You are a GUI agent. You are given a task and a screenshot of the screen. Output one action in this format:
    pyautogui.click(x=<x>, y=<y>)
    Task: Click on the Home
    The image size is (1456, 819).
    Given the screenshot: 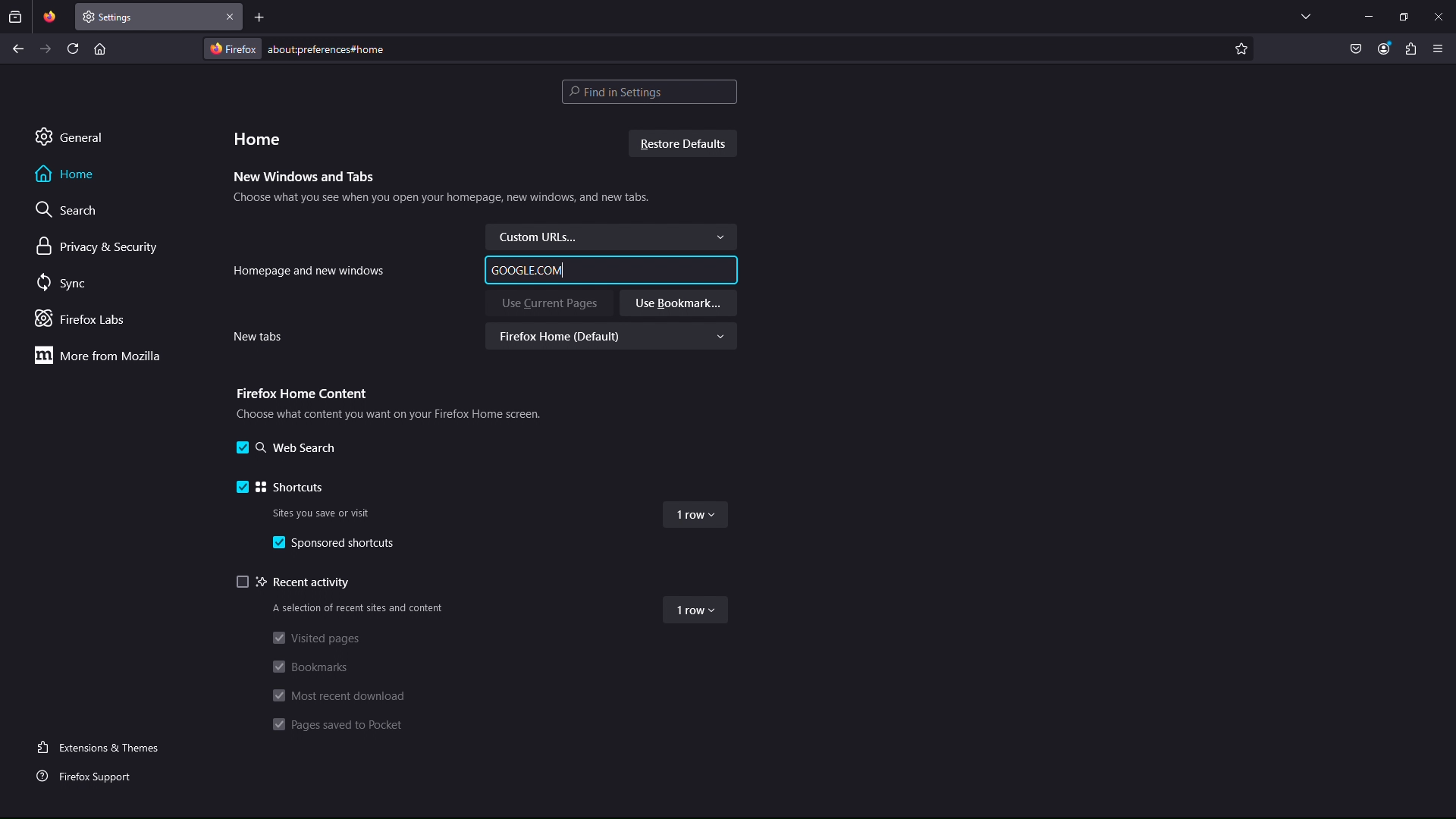 What is the action you would take?
    pyautogui.click(x=257, y=137)
    